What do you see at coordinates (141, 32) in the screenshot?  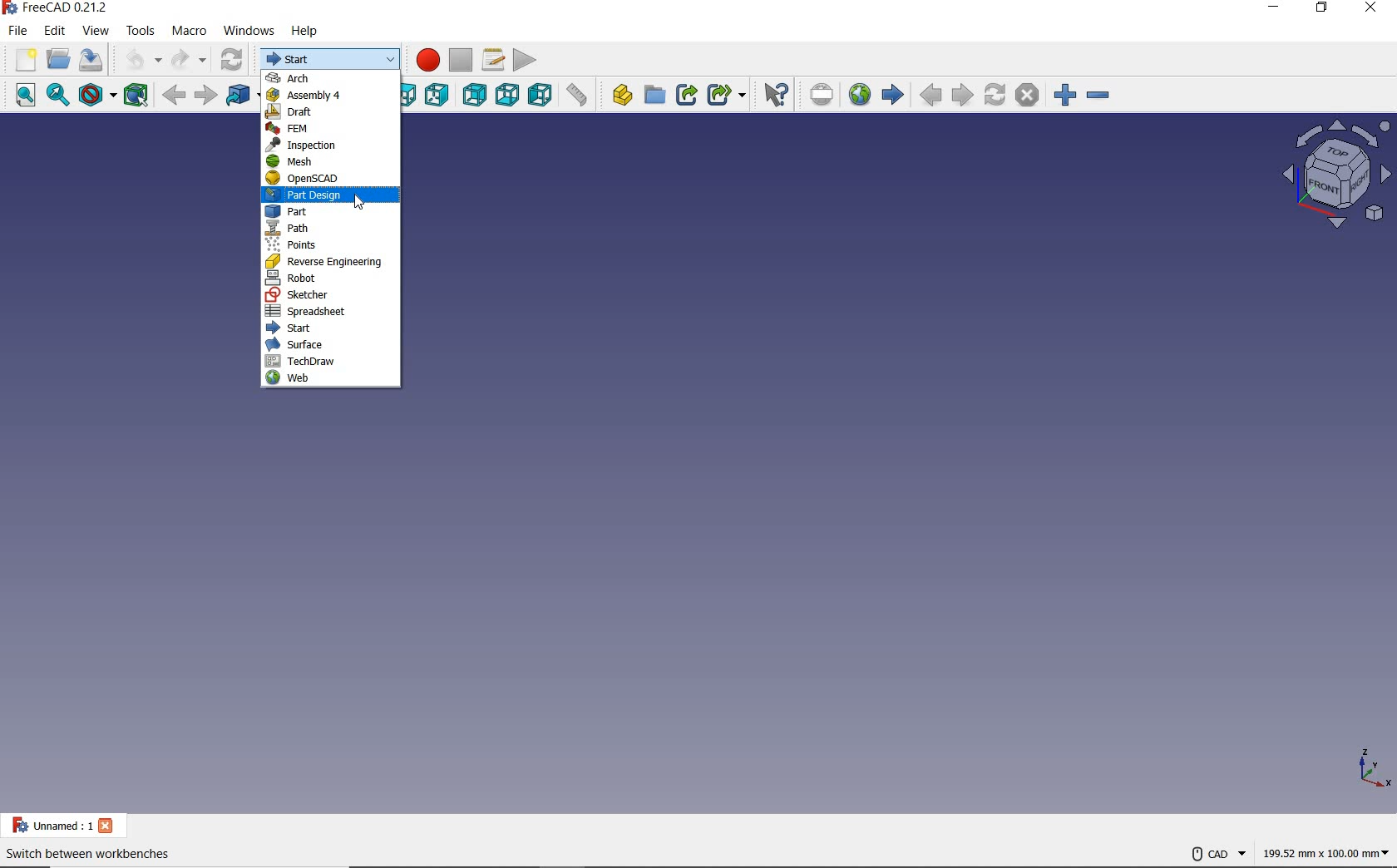 I see `TOOLS` at bounding box center [141, 32].